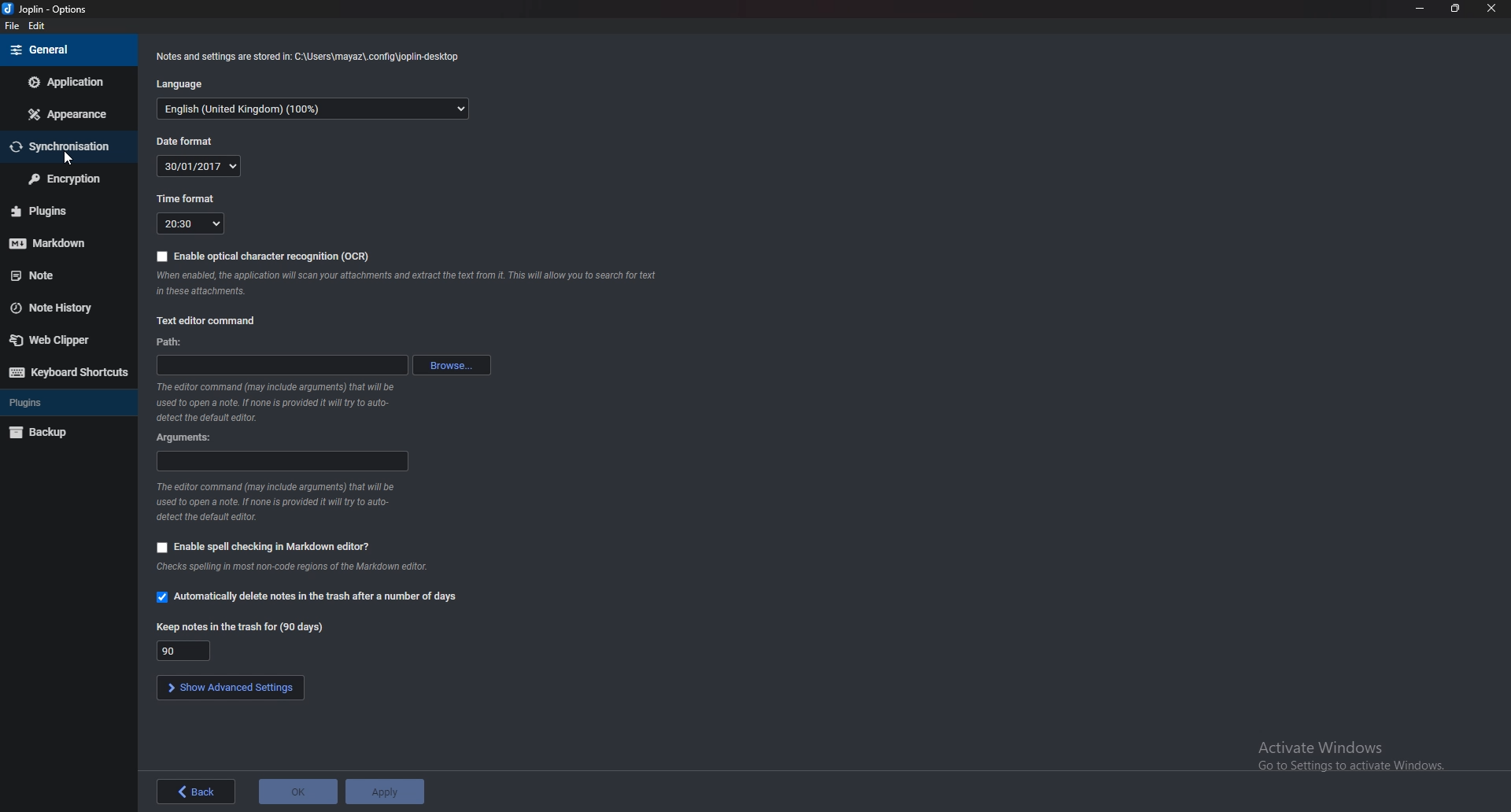 The width and height of the screenshot is (1511, 812). Describe the element at coordinates (309, 596) in the screenshot. I see `automatically delete from trash` at that location.